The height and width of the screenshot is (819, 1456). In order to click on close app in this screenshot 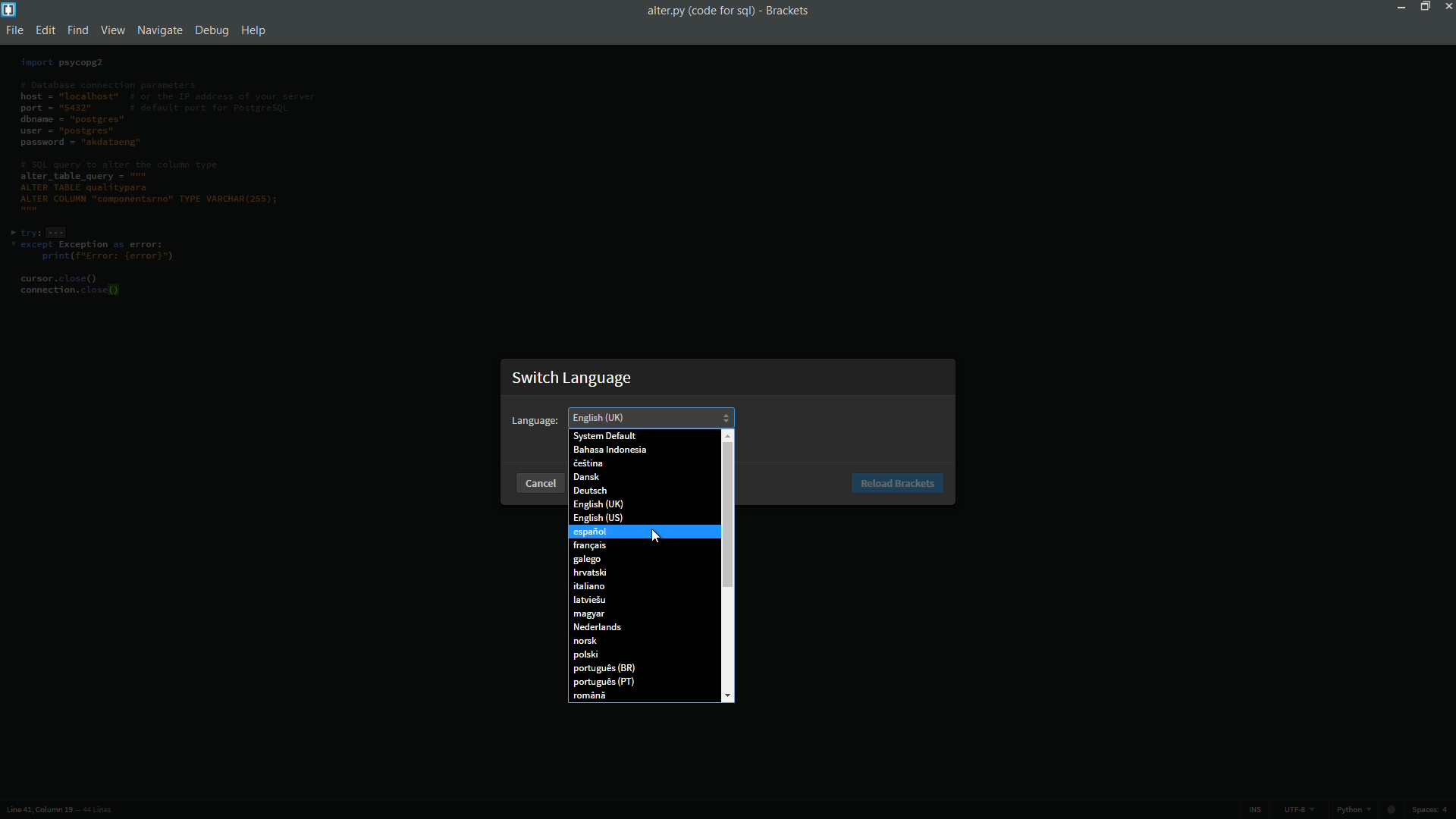, I will do `click(1447, 8)`.